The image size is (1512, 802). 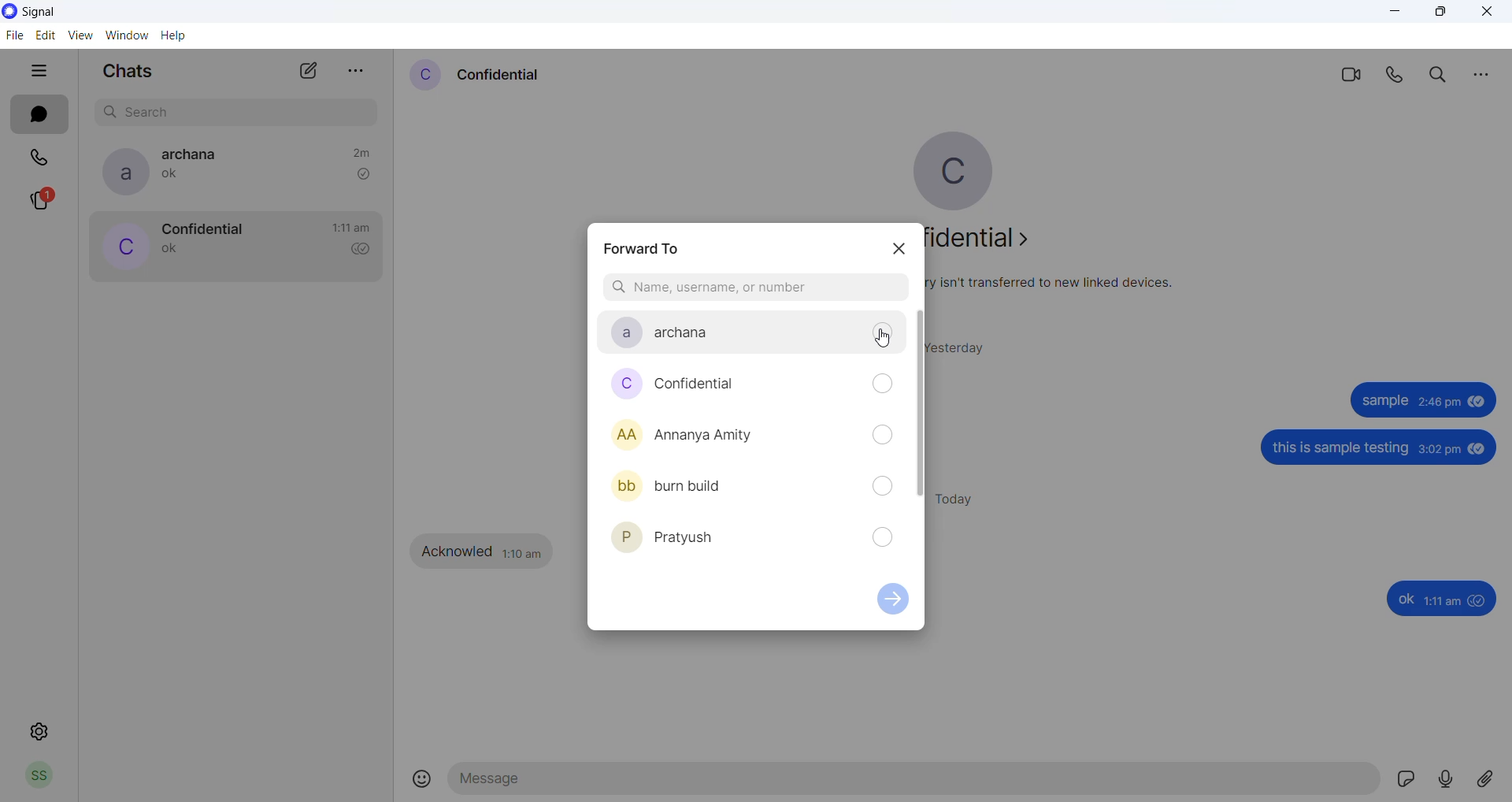 What do you see at coordinates (1438, 404) in the screenshot?
I see `2:46 pm` at bounding box center [1438, 404].